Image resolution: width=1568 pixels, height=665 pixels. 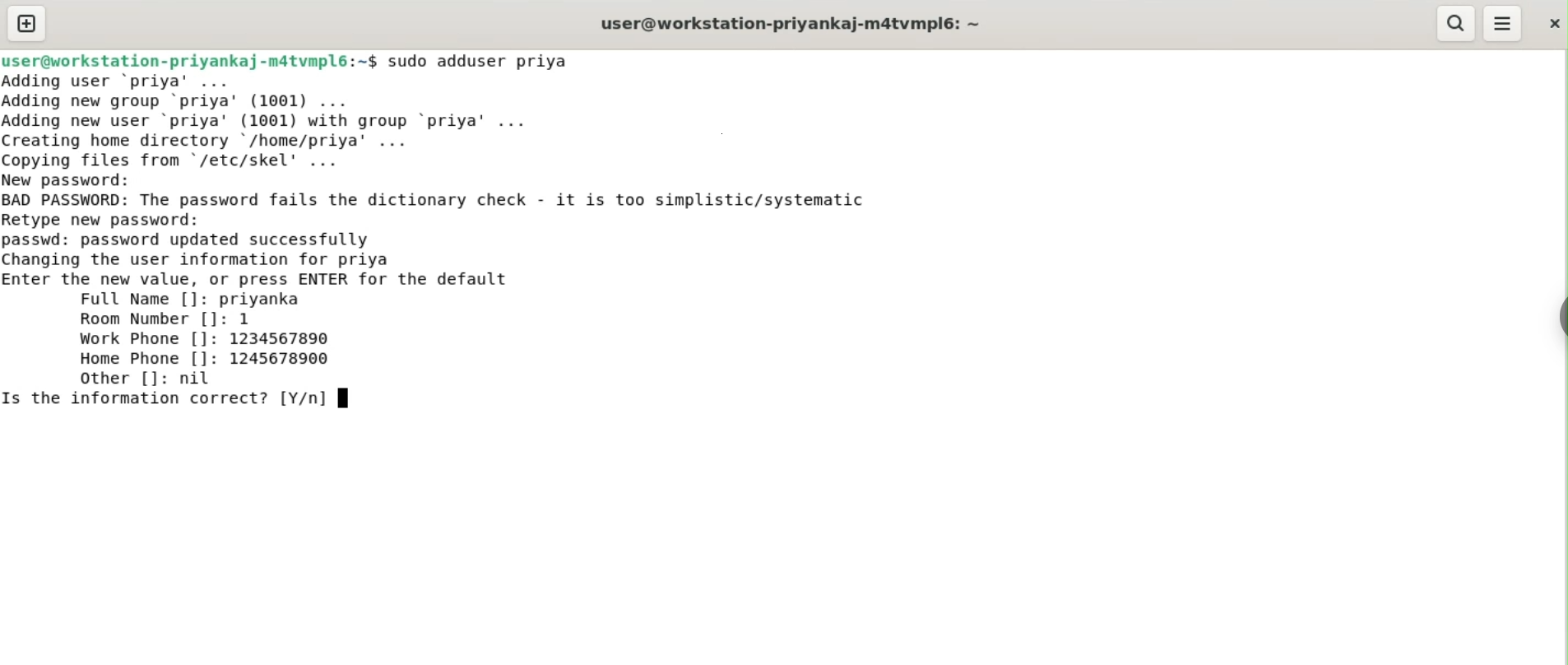 I want to click on passwd: password updated successfullyChanging the user information for priyaEnter the new value, or press ENTER for the defaultFull Name []: priyankal , so click(x=258, y=270).